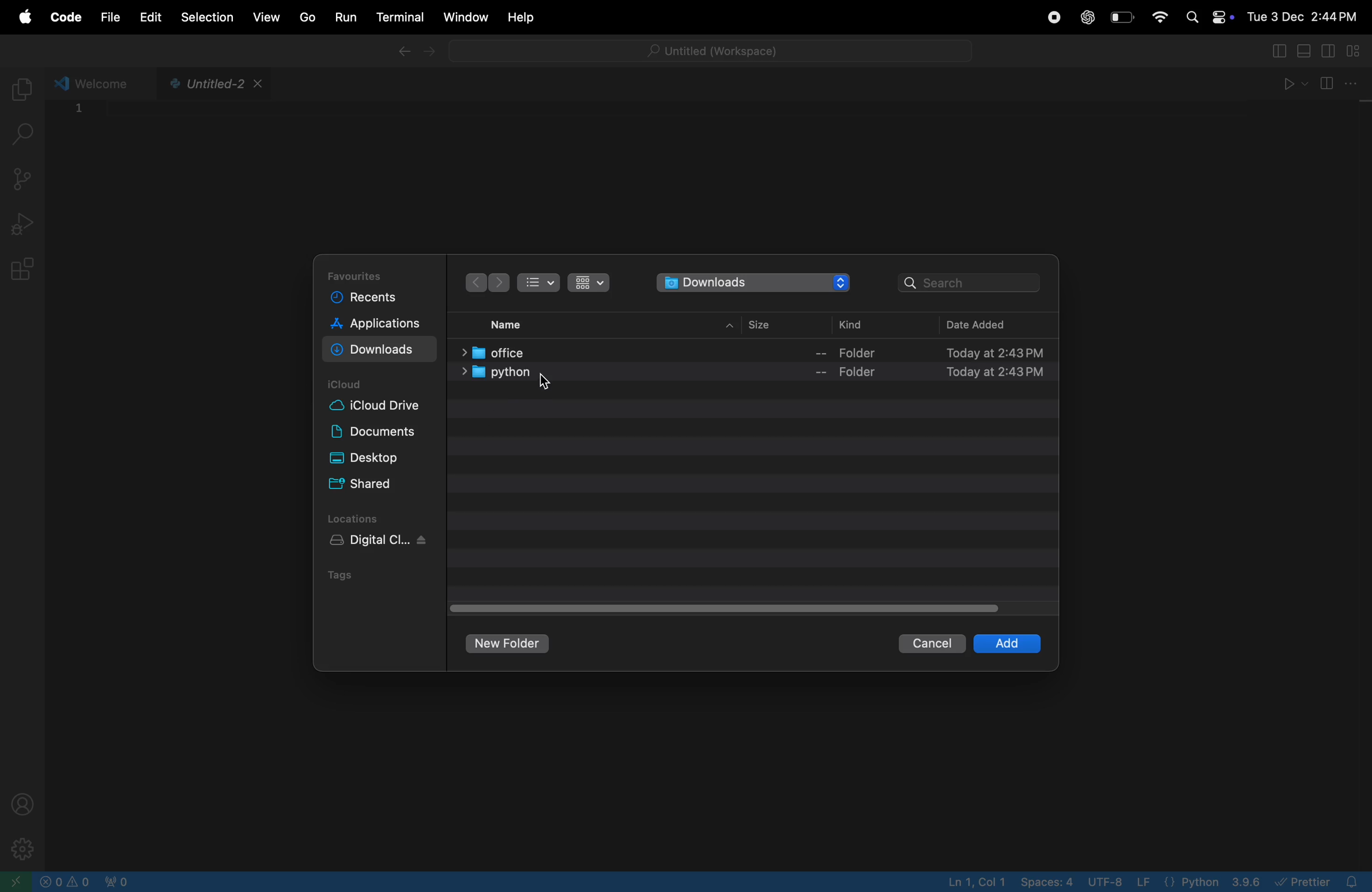 The image size is (1372, 892). What do you see at coordinates (1305, 13) in the screenshot?
I see `date and time` at bounding box center [1305, 13].